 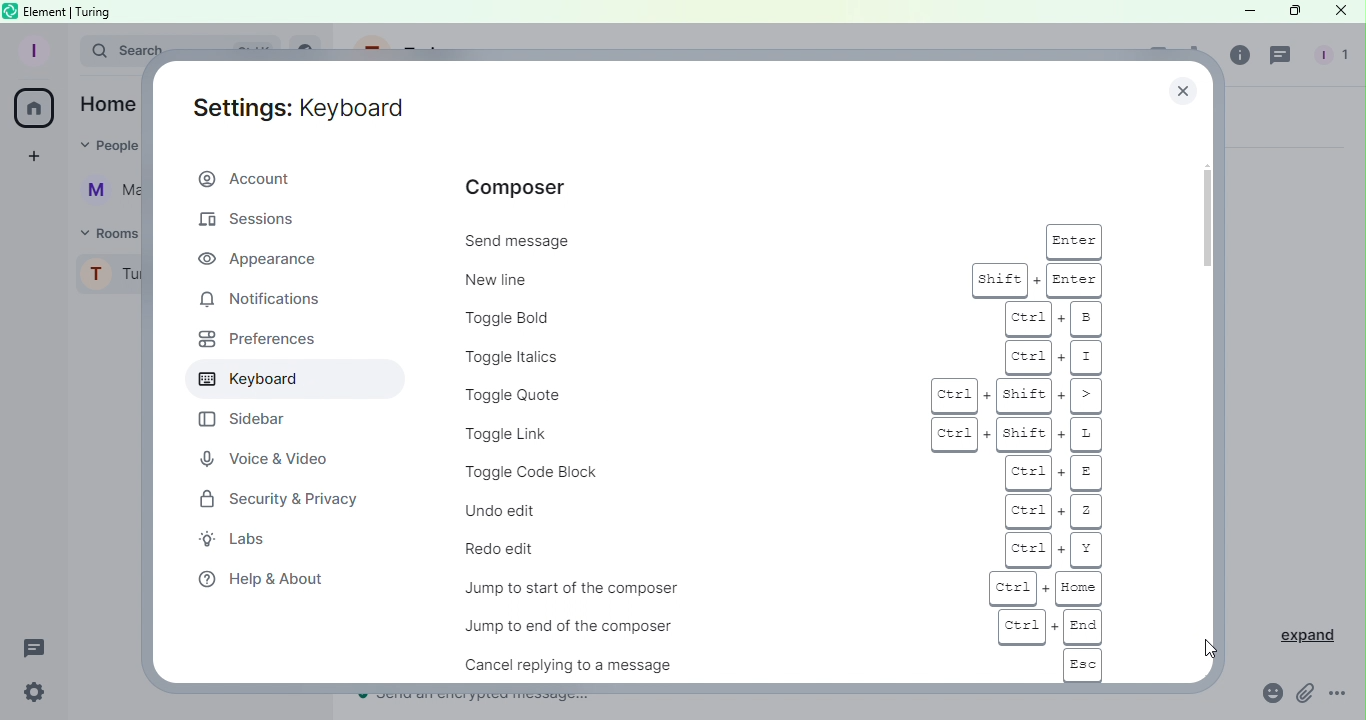 I want to click on Appearnace, so click(x=262, y=259).